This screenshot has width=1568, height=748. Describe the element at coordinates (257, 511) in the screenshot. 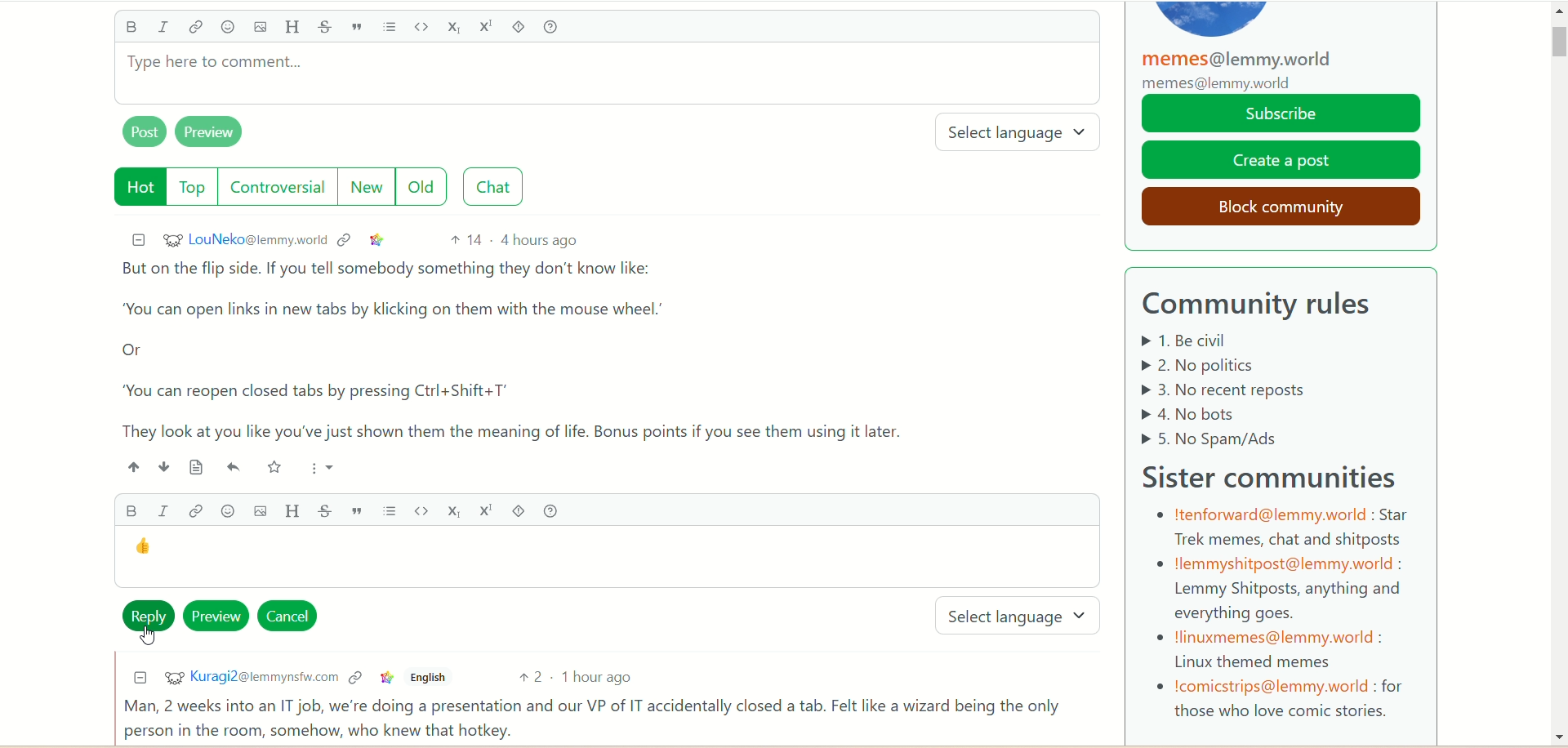

I see `image` at that location.